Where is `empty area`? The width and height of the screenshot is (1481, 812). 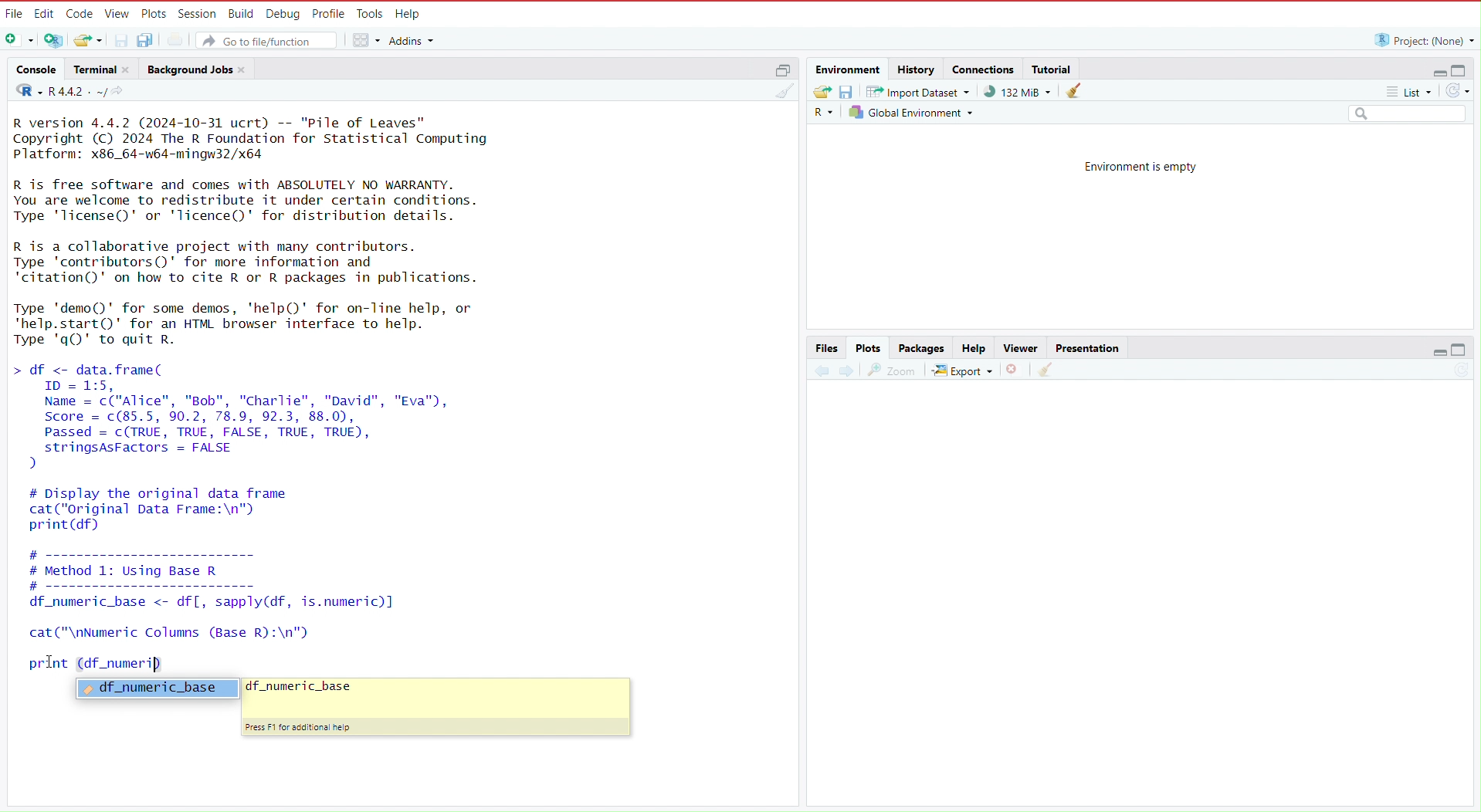 empty area is located at coordinates (1125, 604).